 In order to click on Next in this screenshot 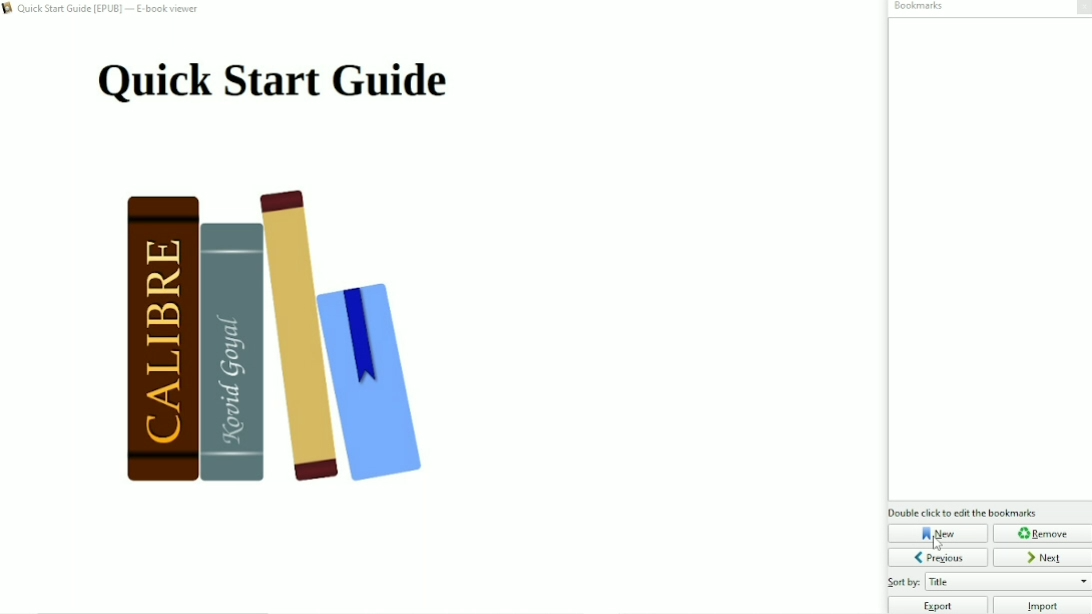, I will do `click(1043, 557)`.